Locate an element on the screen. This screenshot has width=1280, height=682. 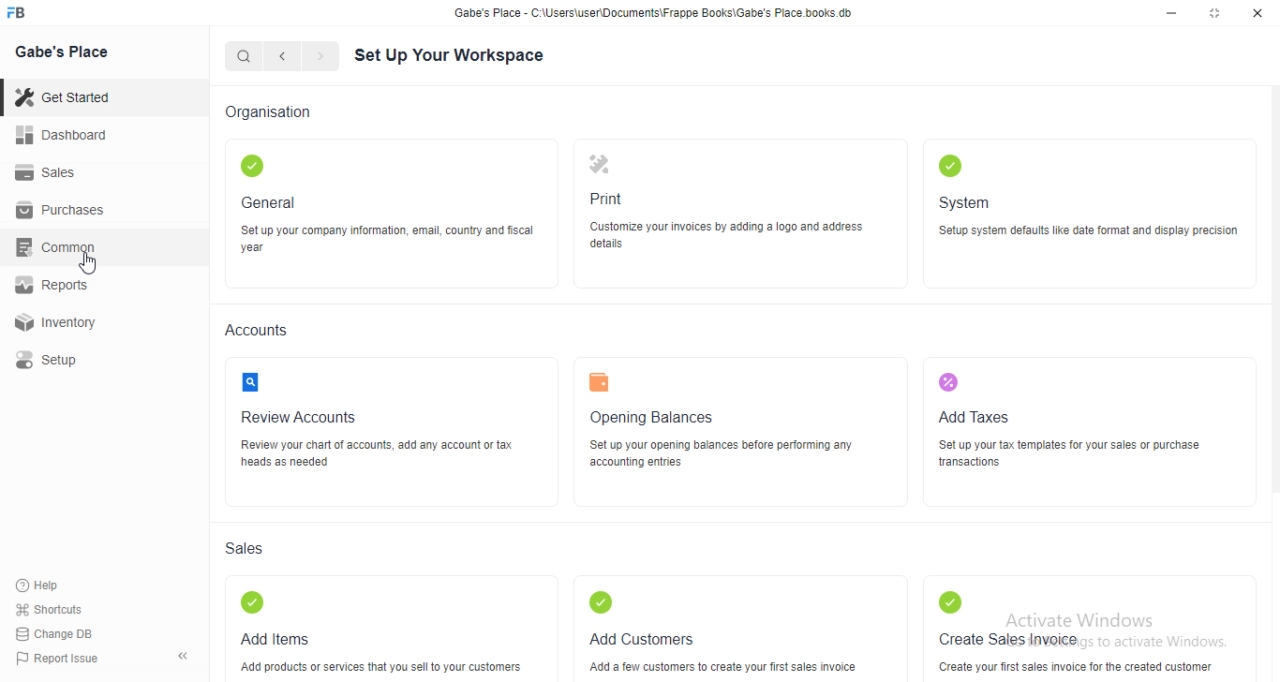
‘Change DB is located at coordinates (55, 634).